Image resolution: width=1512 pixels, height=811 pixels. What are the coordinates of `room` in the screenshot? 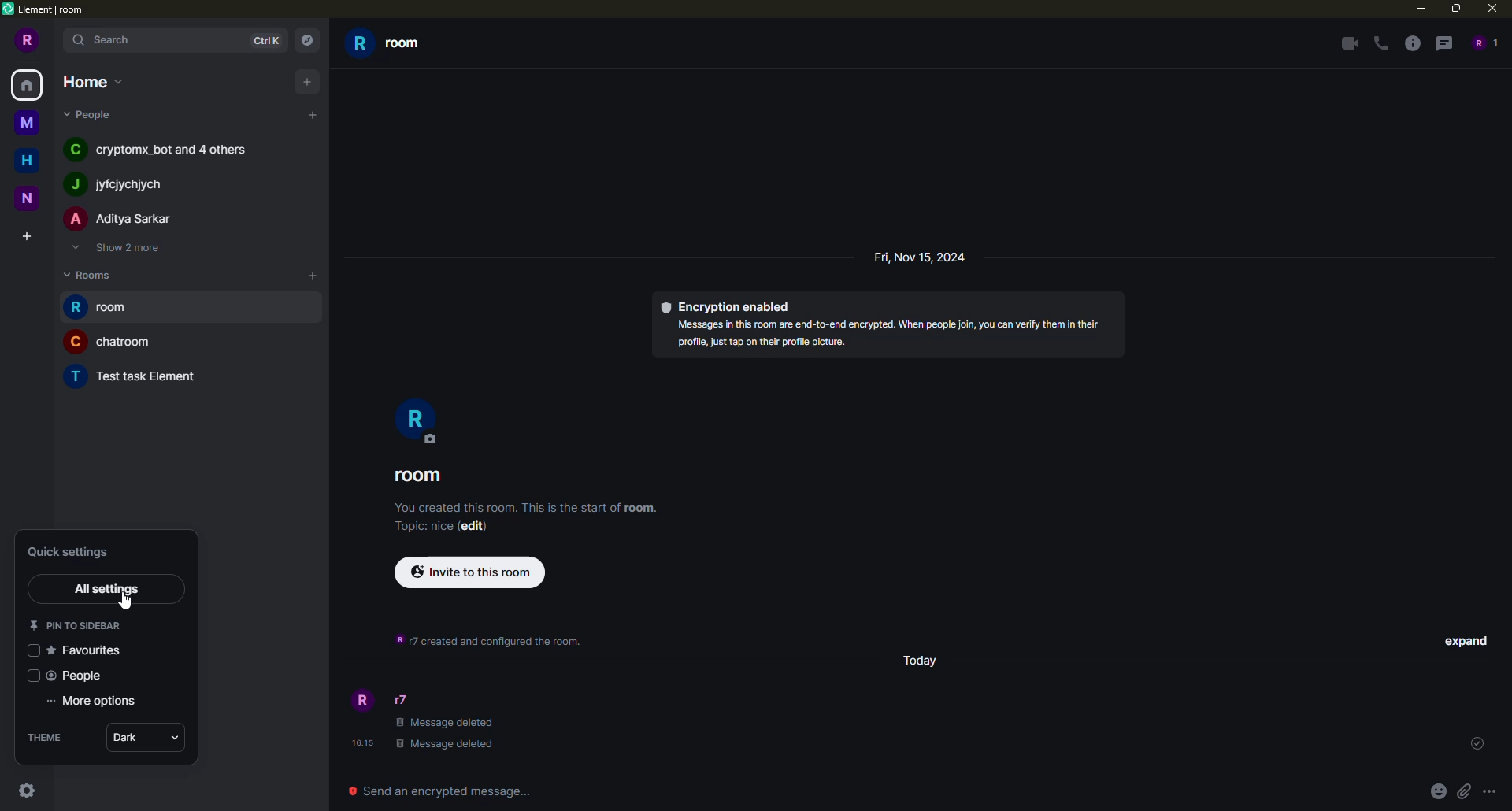 It's located at (138, 374).